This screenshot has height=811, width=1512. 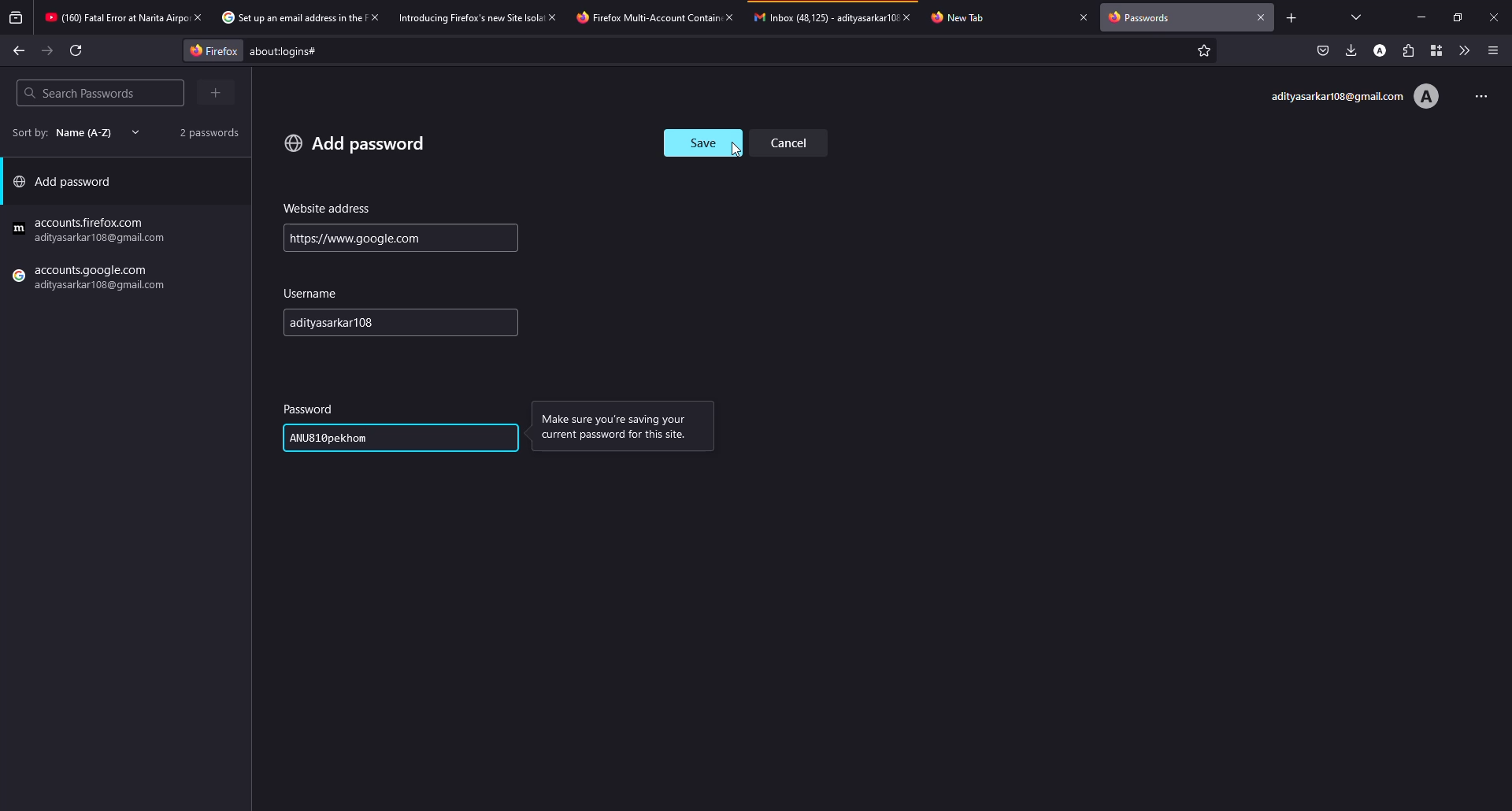 I want to click on close, so click(x=1084, y=17).